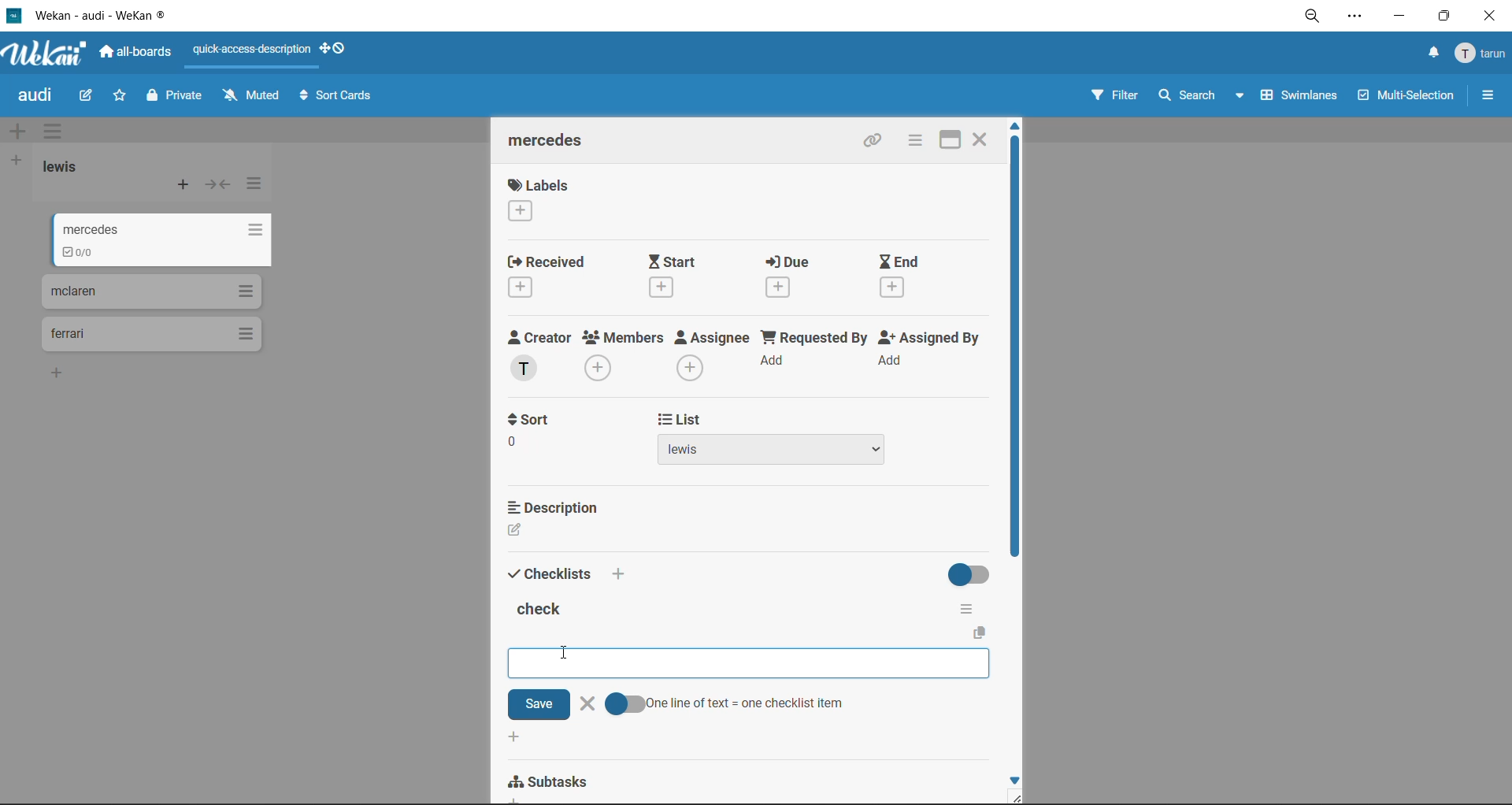 The height and width of the screenshot is (805, 1512). Describe the element at coordinates (563, 653) in the screenshot. I see `cursor` at that location.